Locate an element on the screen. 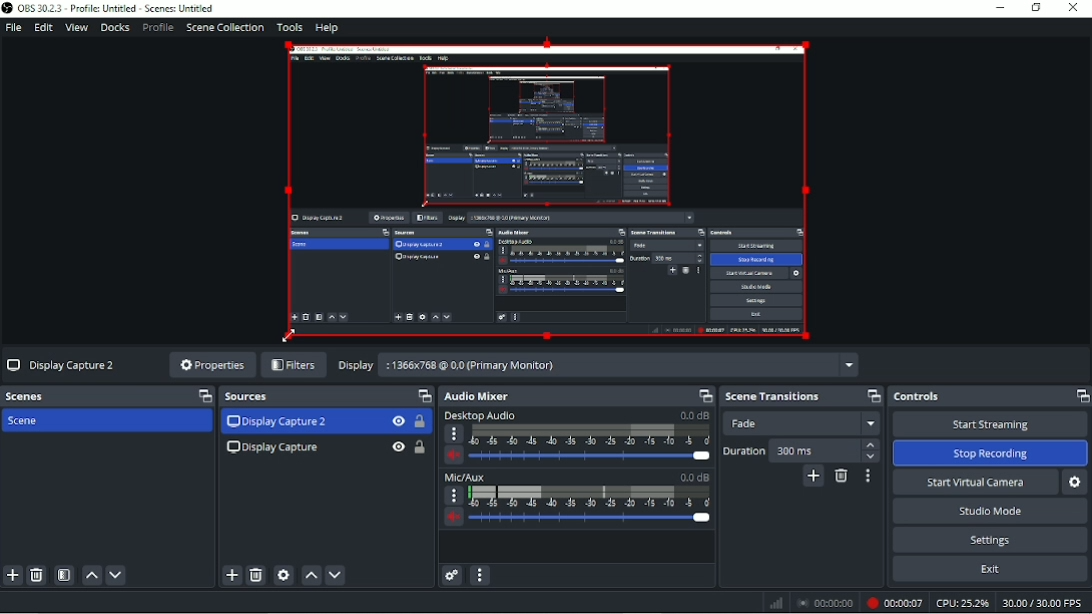  Video is located at coordinates (554, 193).